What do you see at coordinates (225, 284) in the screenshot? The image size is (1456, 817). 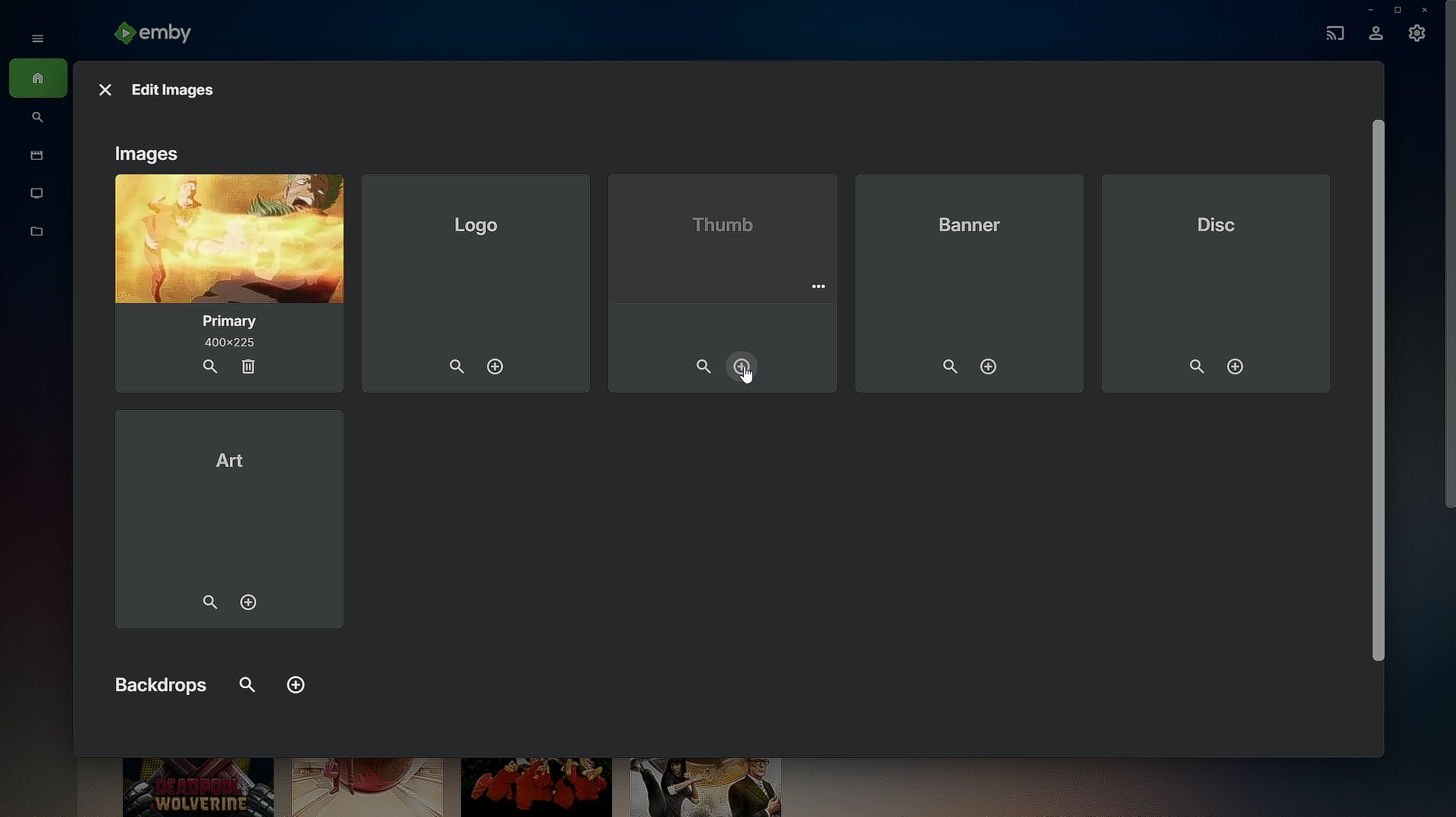 I see `Primary` at bounding box center [225, 284].